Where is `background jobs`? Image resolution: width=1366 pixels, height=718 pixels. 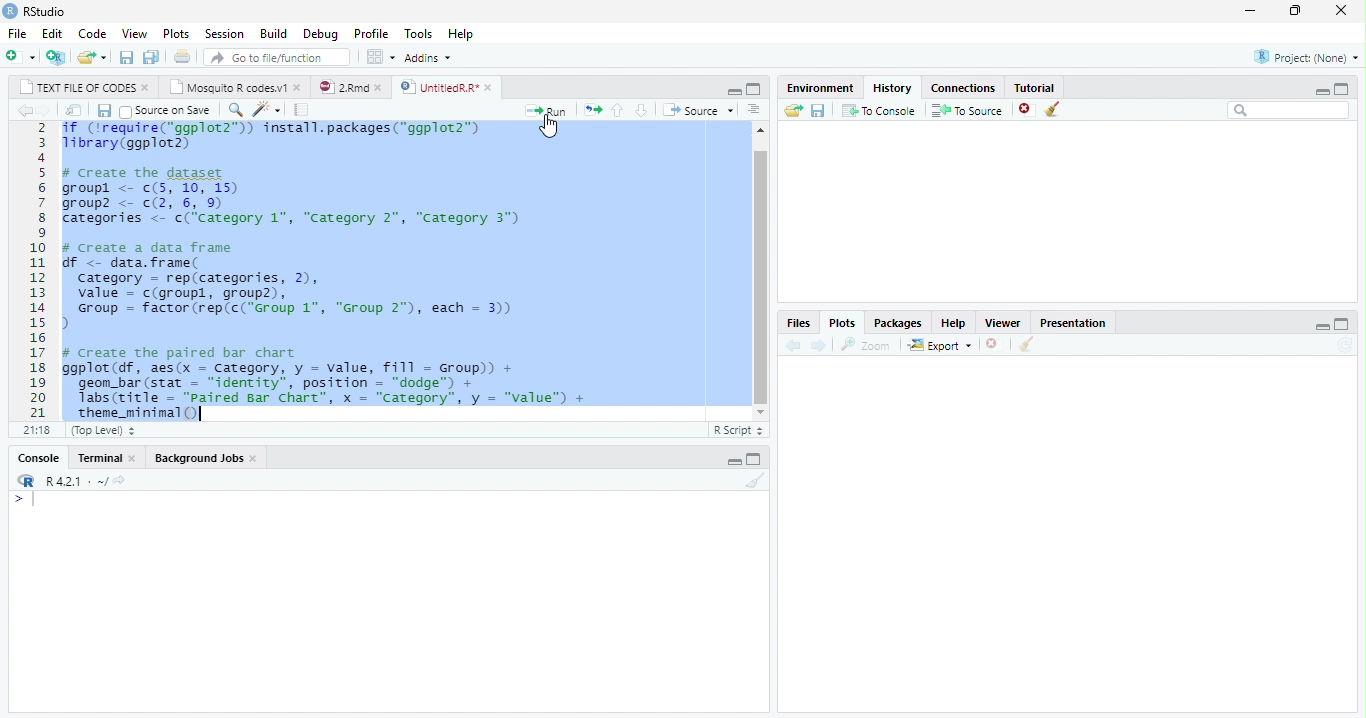
background jobs is located at coordinates (198, 457).